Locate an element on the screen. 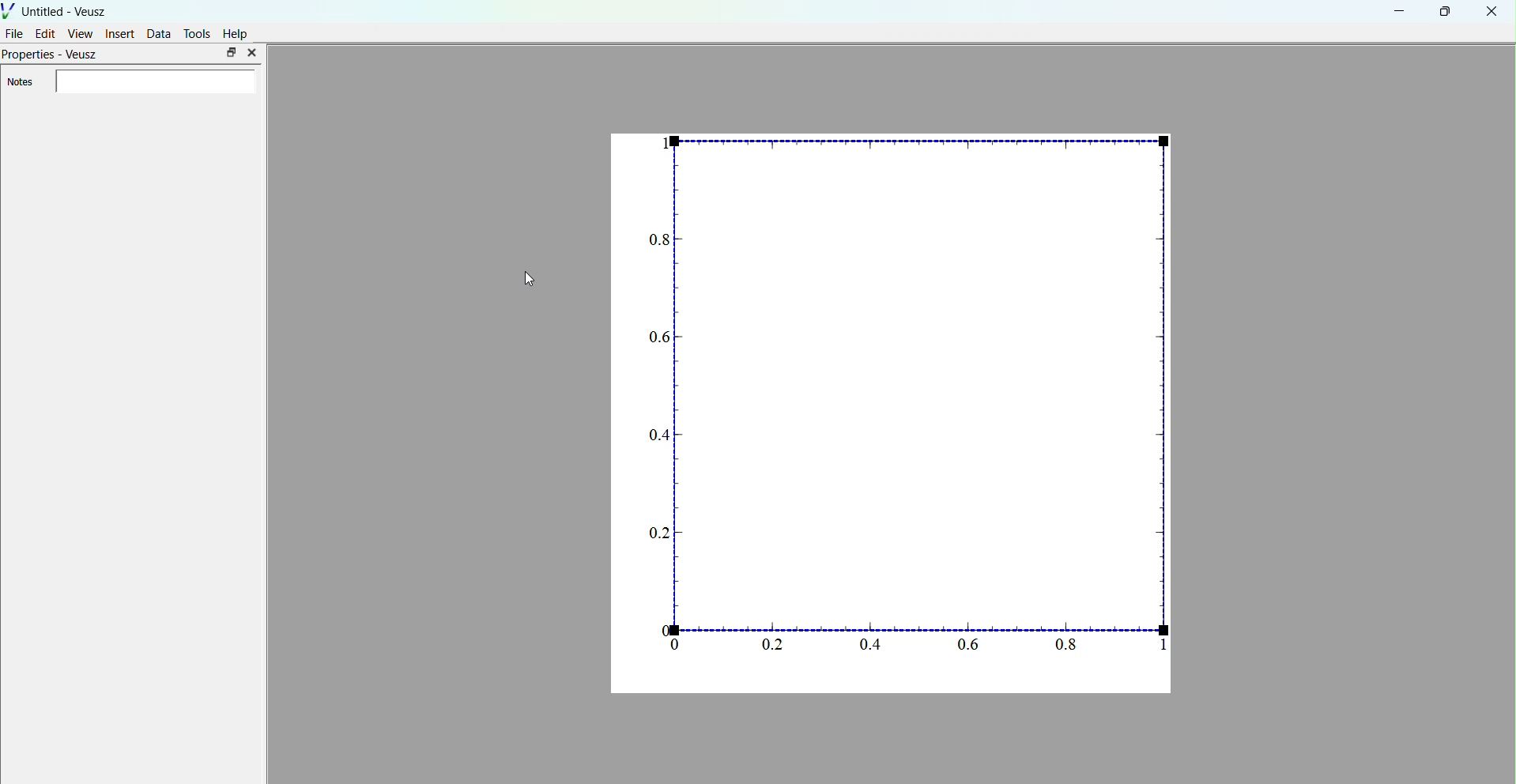  Tools is located at coordinates (198, 33).